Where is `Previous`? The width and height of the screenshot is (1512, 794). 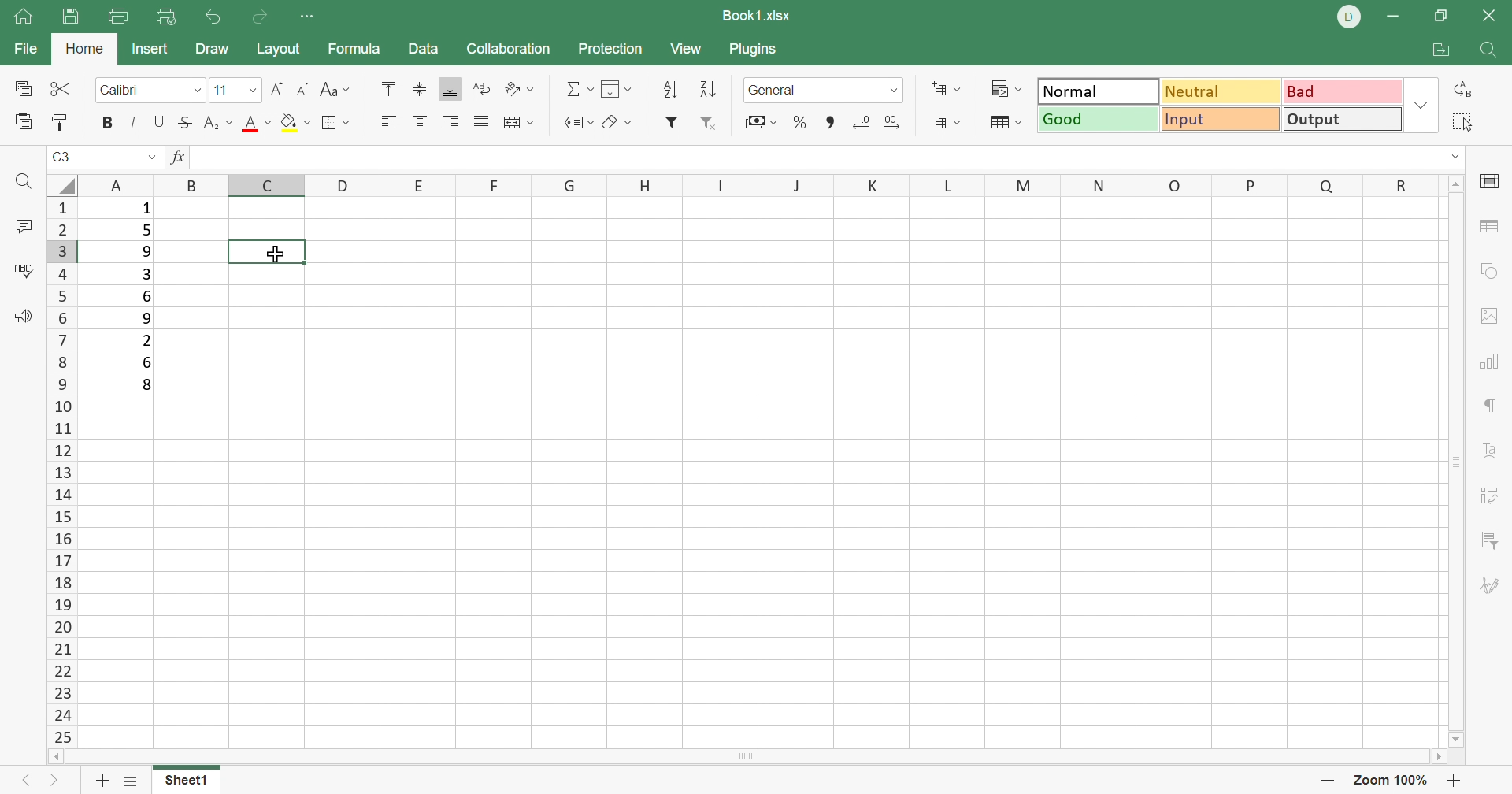
Previous is located at coordinates (20, 782).